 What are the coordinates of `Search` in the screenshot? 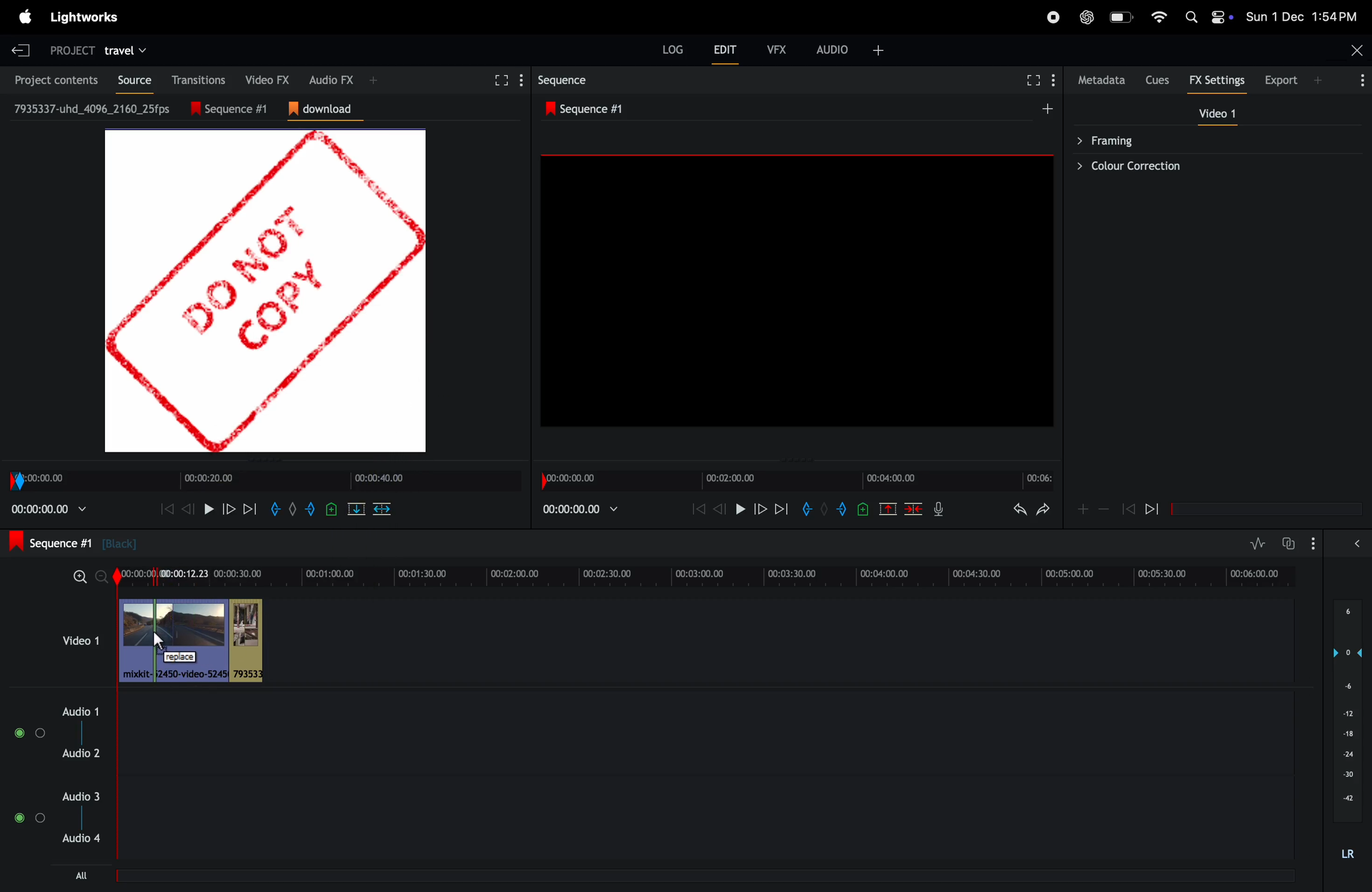 It's located at (1191, 17).